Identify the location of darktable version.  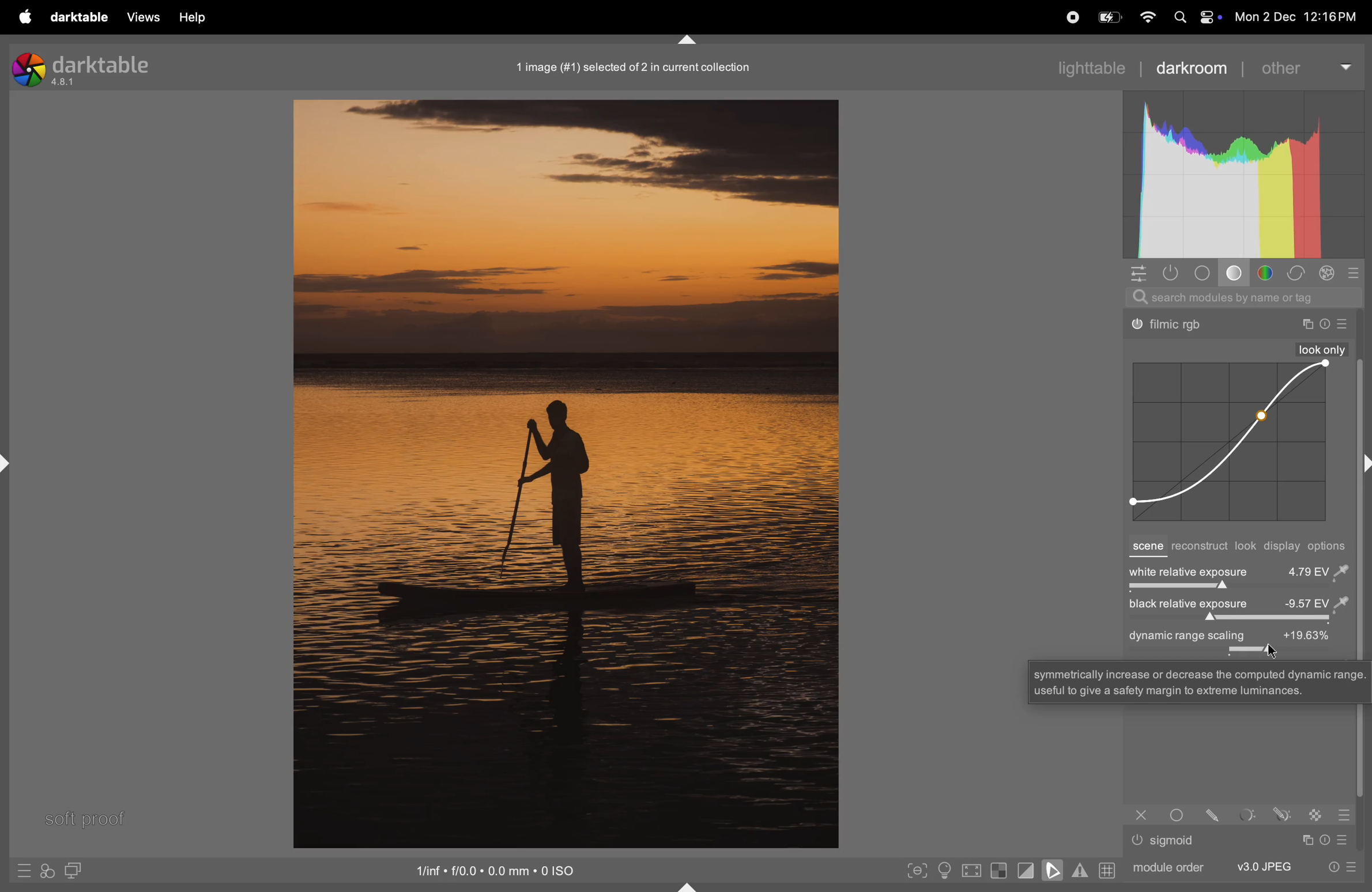
(95, 66).